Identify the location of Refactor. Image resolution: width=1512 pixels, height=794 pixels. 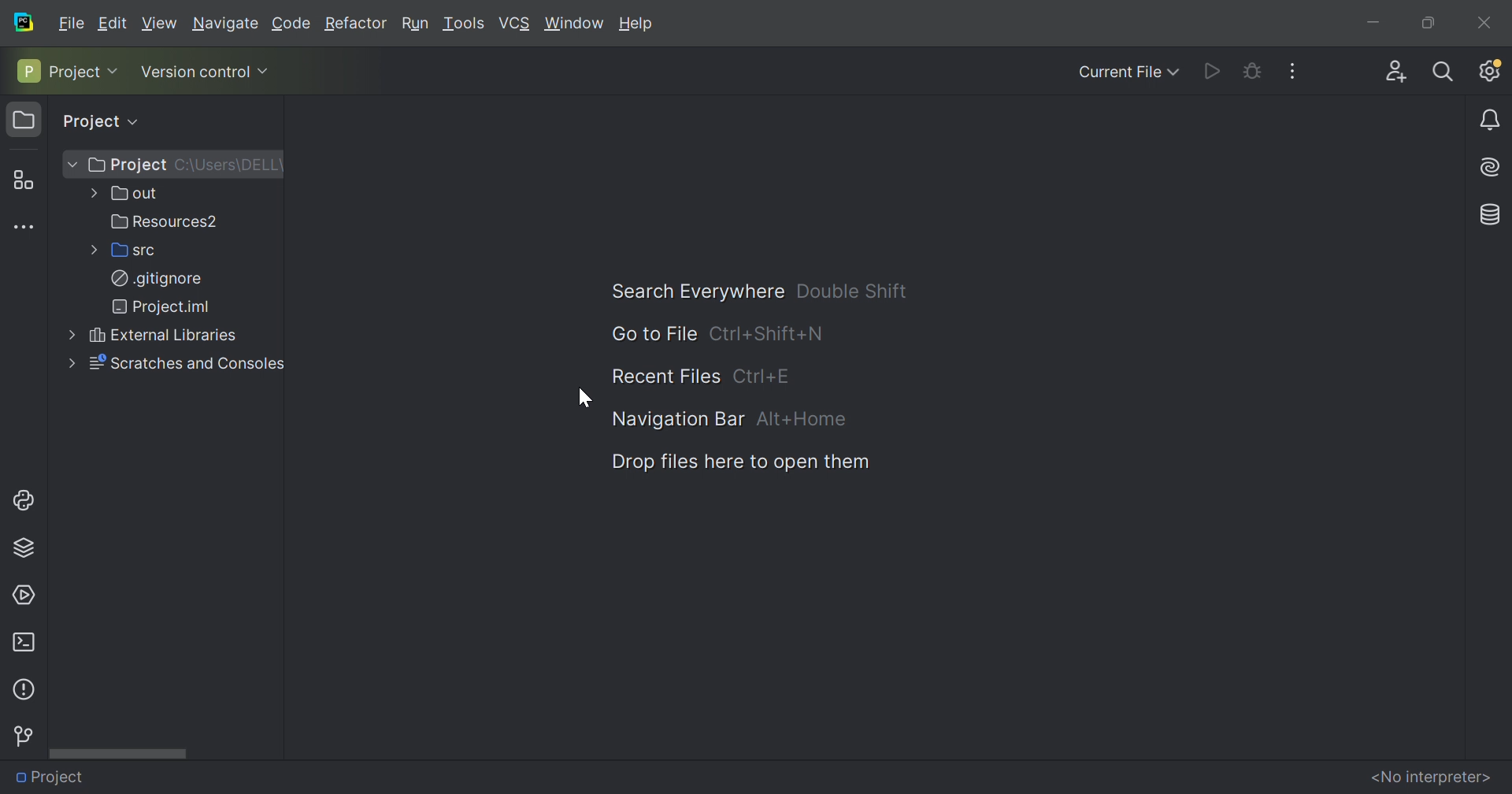
(354, 24).